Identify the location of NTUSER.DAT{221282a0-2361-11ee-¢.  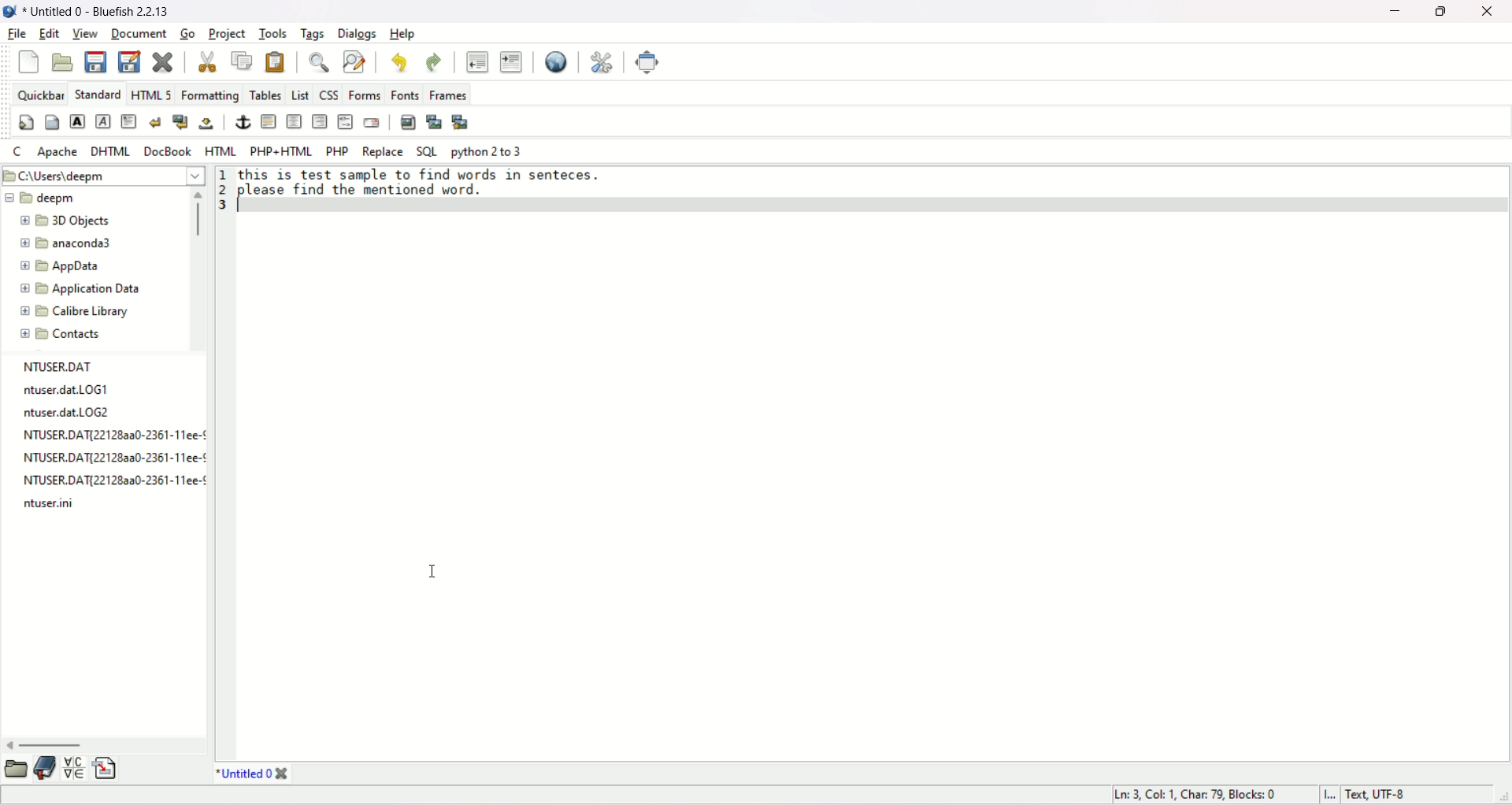
(113, 436).